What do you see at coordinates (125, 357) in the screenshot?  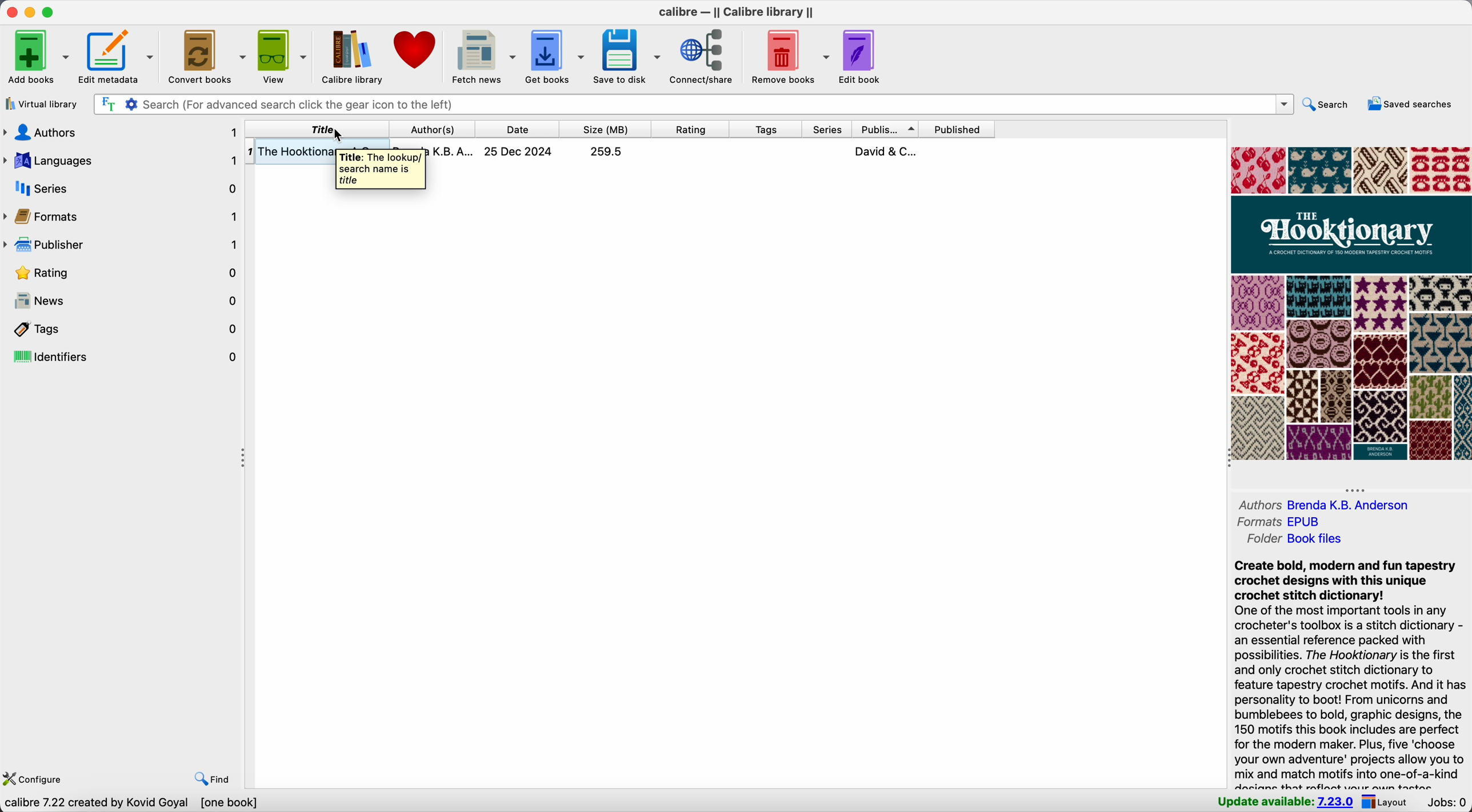 I see `identifiers` at bounding box center [125, 357].